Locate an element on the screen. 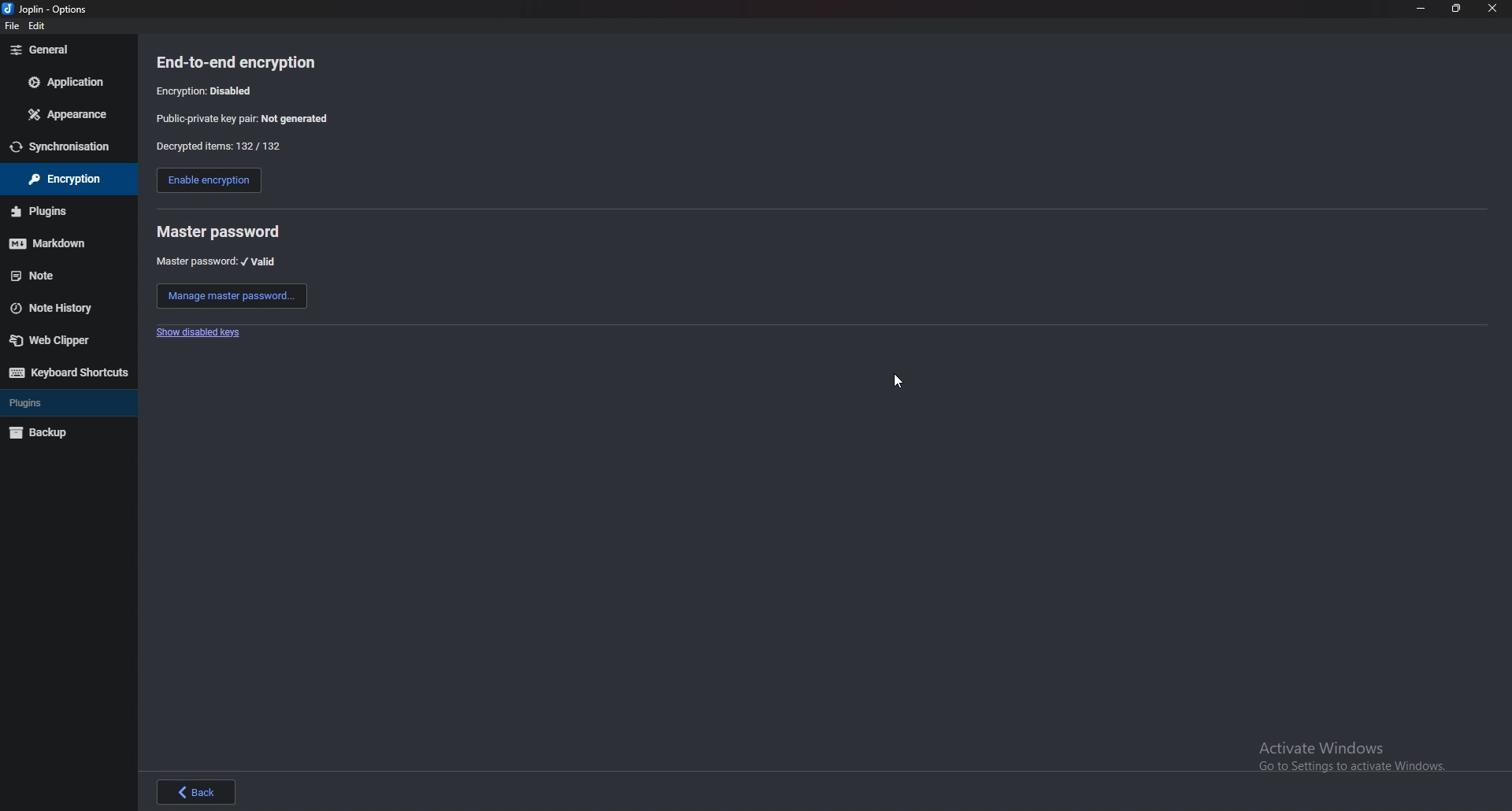  options is located at coordinates (49, 8).